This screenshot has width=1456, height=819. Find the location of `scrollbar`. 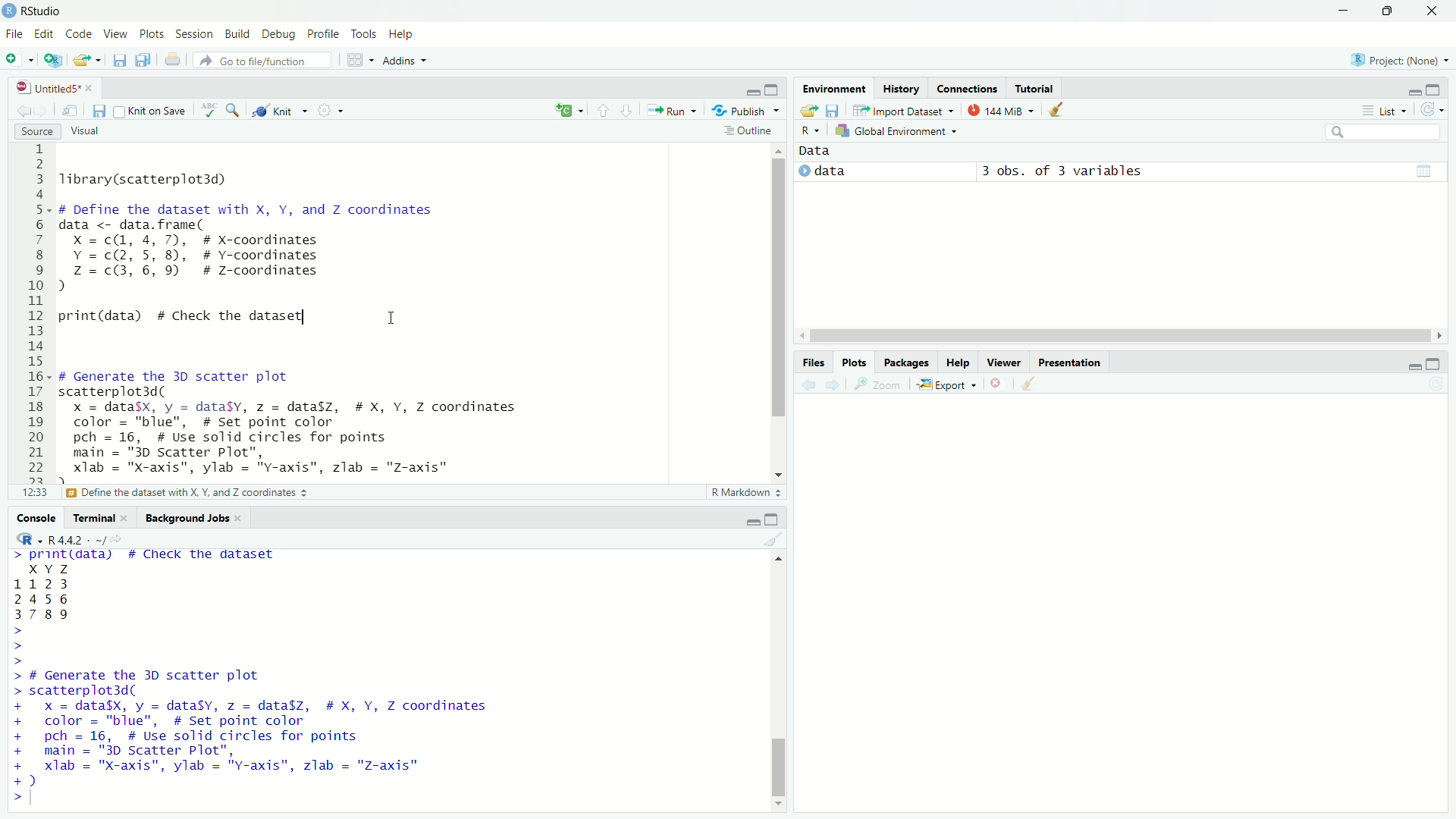

scrollbar is located at coordinates (778, 306).